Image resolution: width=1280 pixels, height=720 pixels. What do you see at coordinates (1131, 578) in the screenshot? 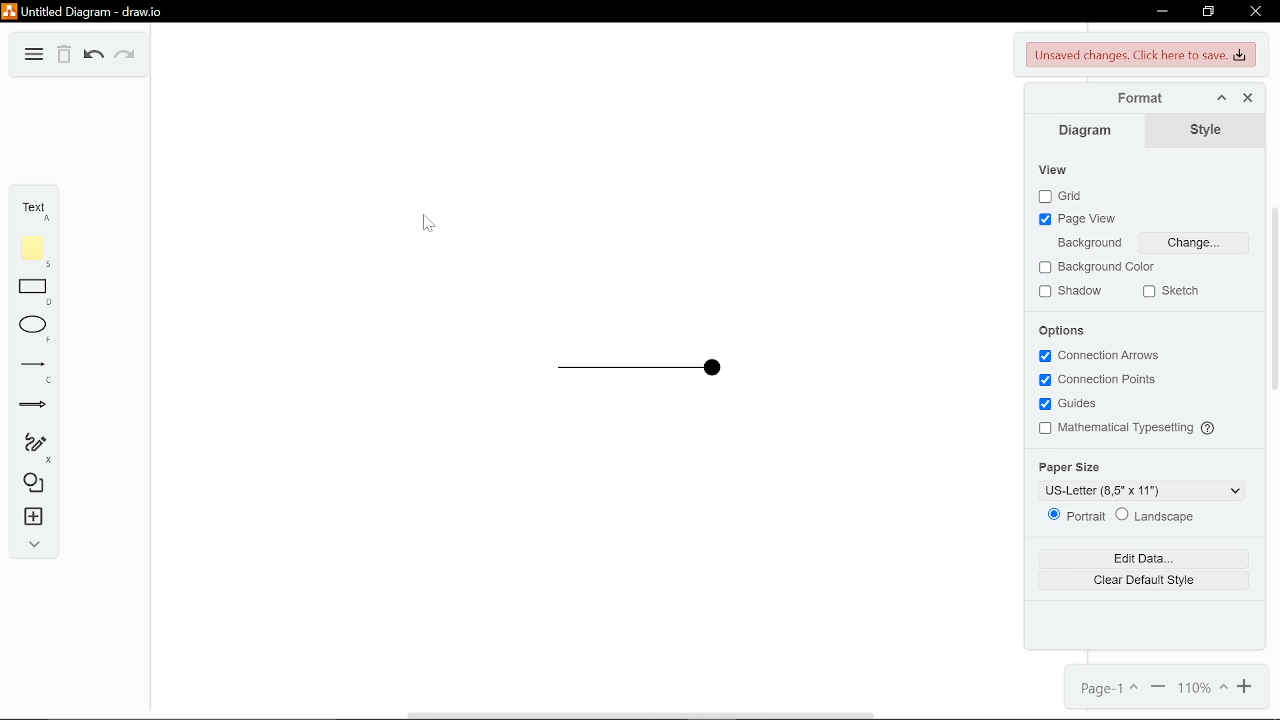
I see `Clear default style` at bounding box center [1131, 578].